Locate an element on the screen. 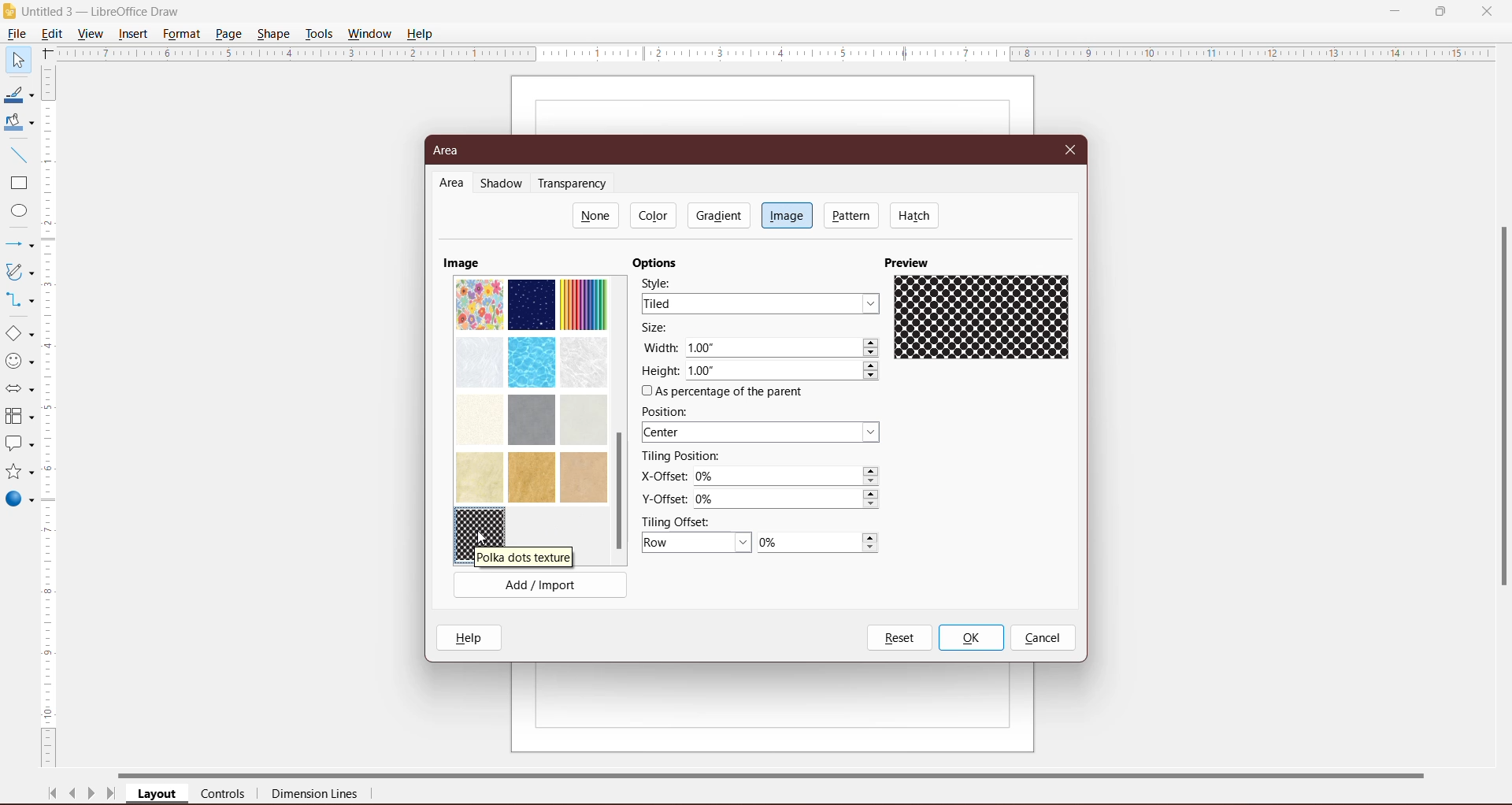 The height and width of the screenshot is (805, 1512). Select required style is located at coordinates (760, 303).